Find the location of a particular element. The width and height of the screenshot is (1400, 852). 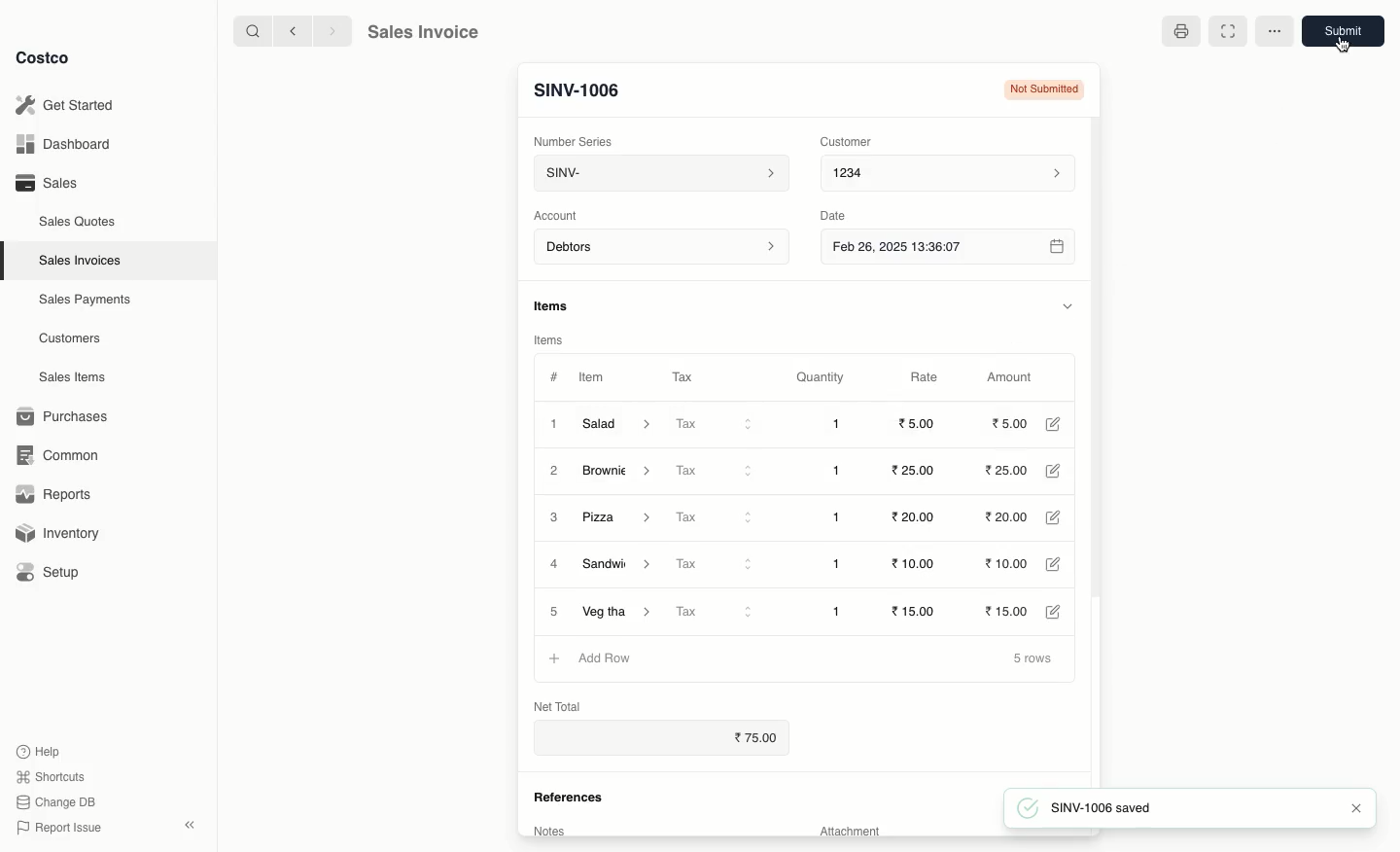

Forward is located at coordinates (332, 32).